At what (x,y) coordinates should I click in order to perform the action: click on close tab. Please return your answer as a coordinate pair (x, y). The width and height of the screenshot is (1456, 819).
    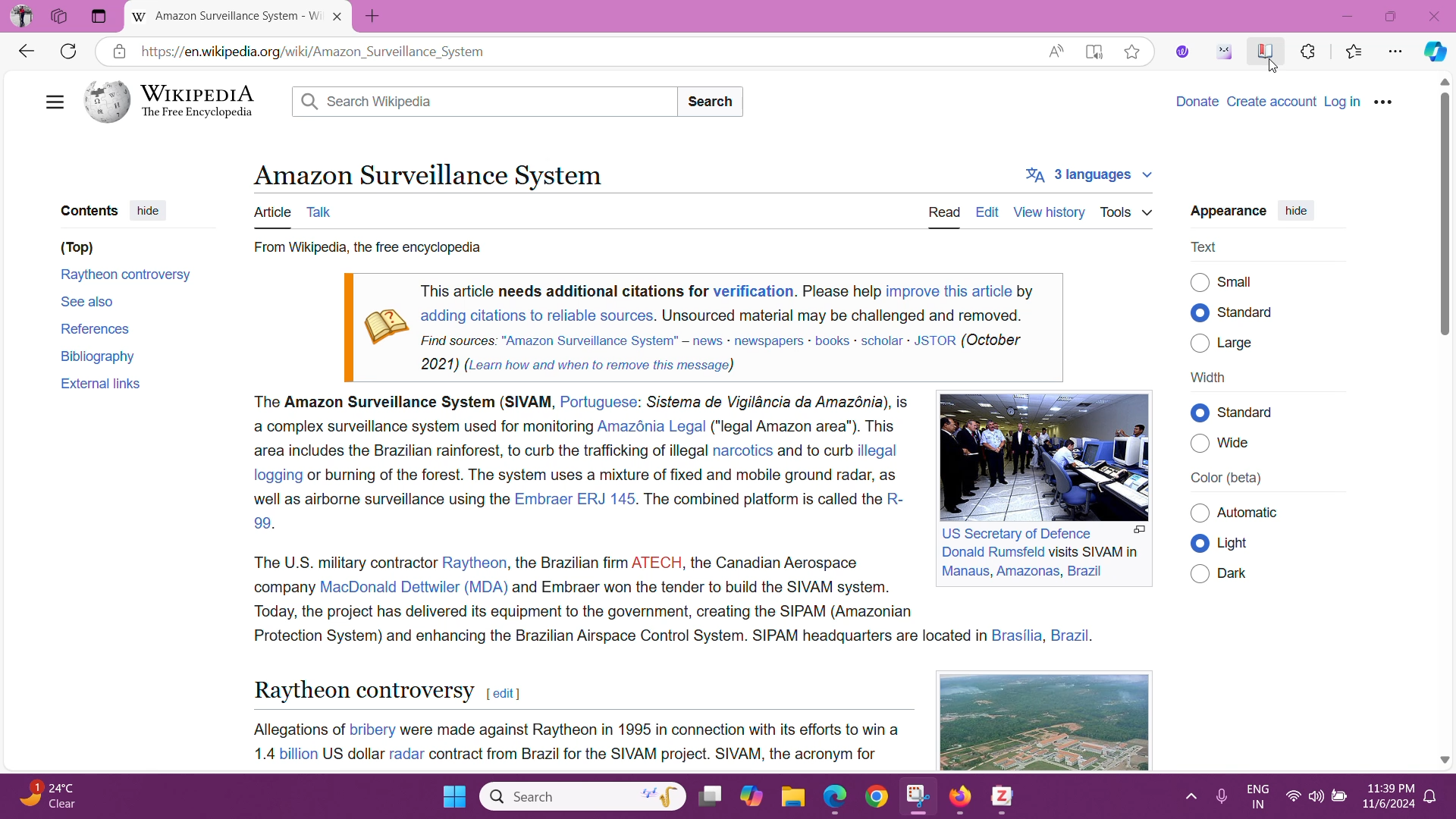
    Looking at the image, I should click on (340, 17).